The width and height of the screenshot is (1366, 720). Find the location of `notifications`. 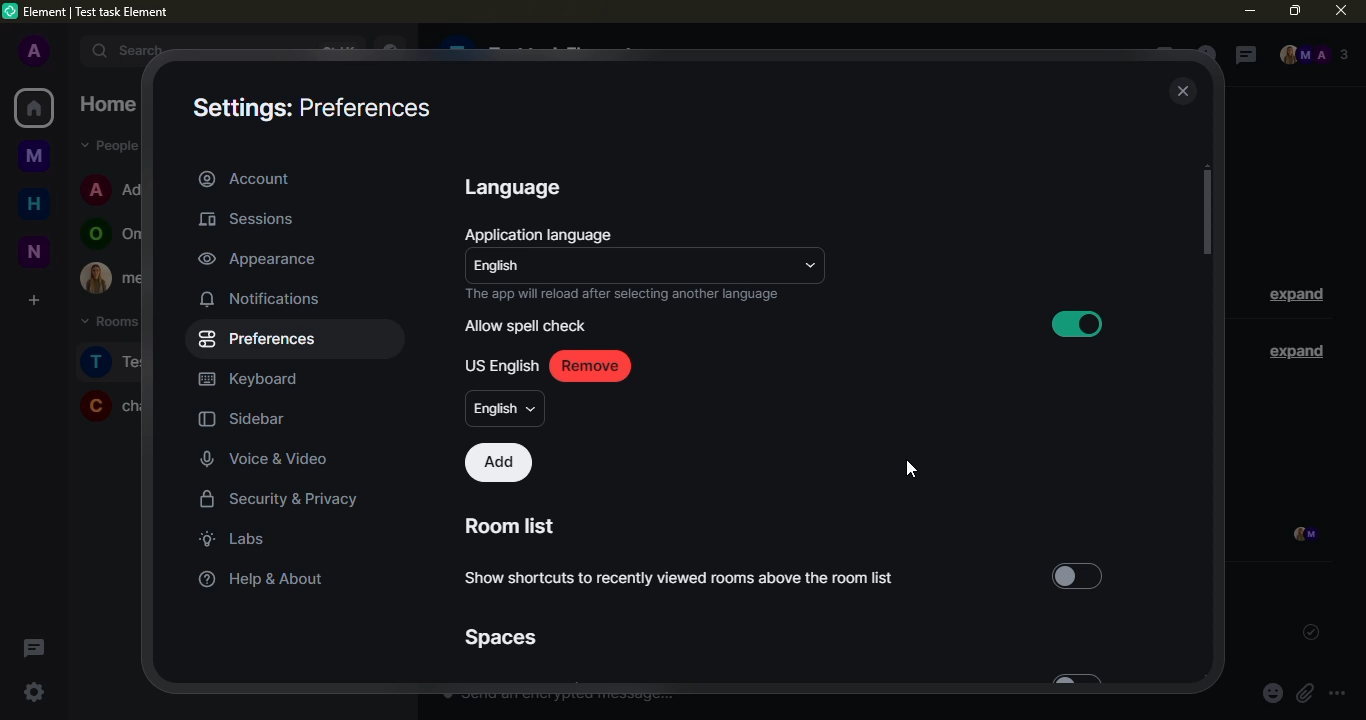

notifications is located at coordinates (262, 298).